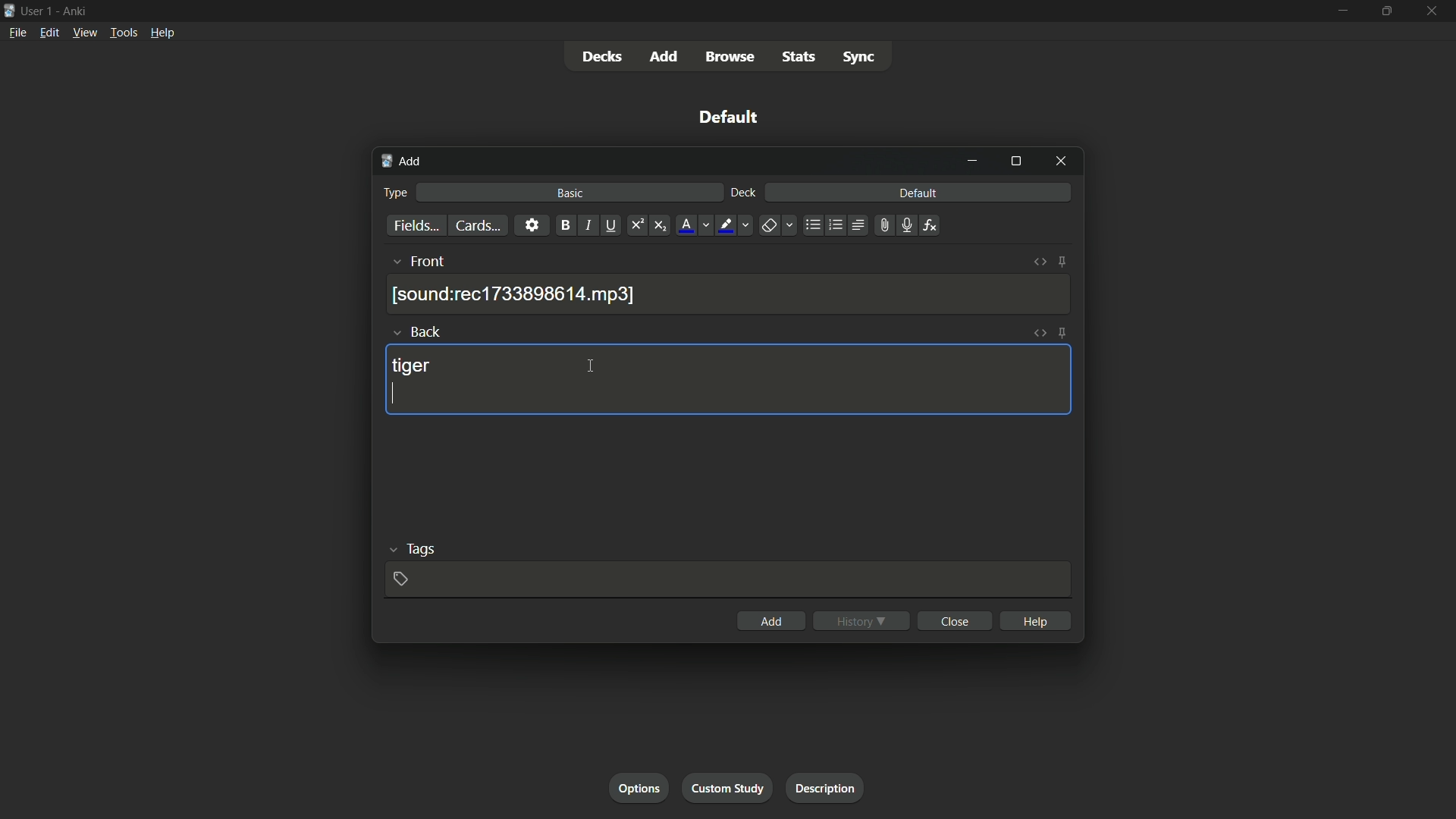  I want to click on toggle sticky, so click(1062, 333).